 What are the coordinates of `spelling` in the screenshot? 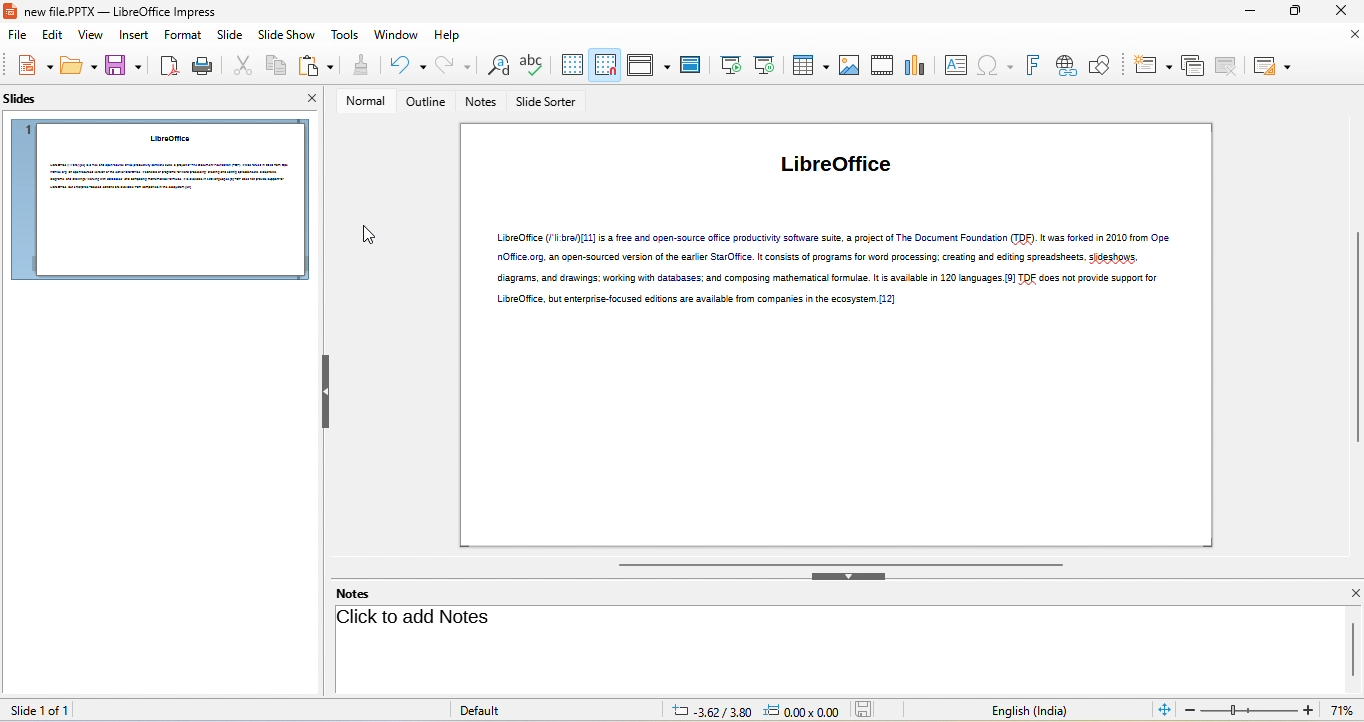 It's located at (535, 68).